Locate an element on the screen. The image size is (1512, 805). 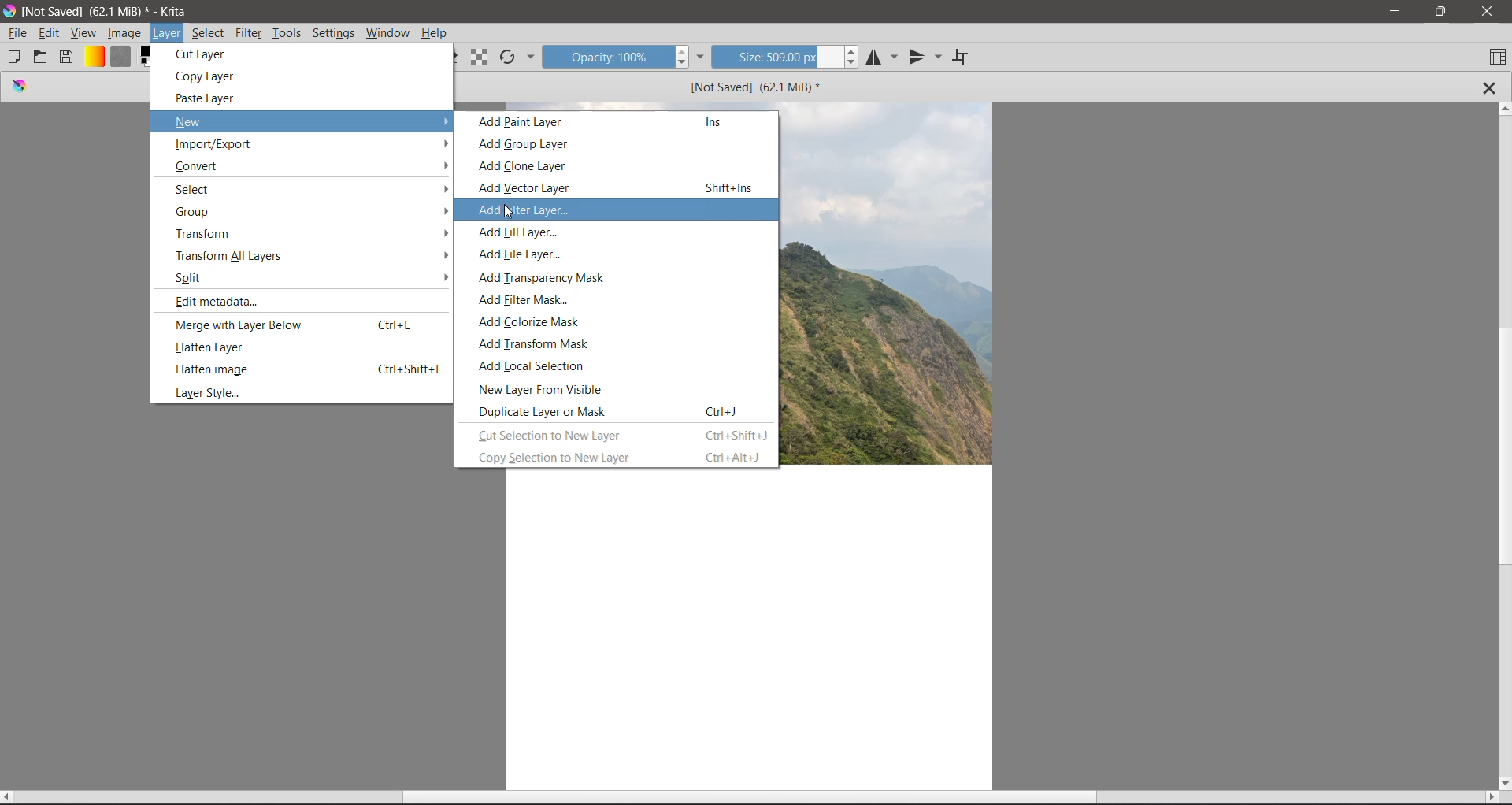
Add Filter Layer is located at coordinates (523, 210).